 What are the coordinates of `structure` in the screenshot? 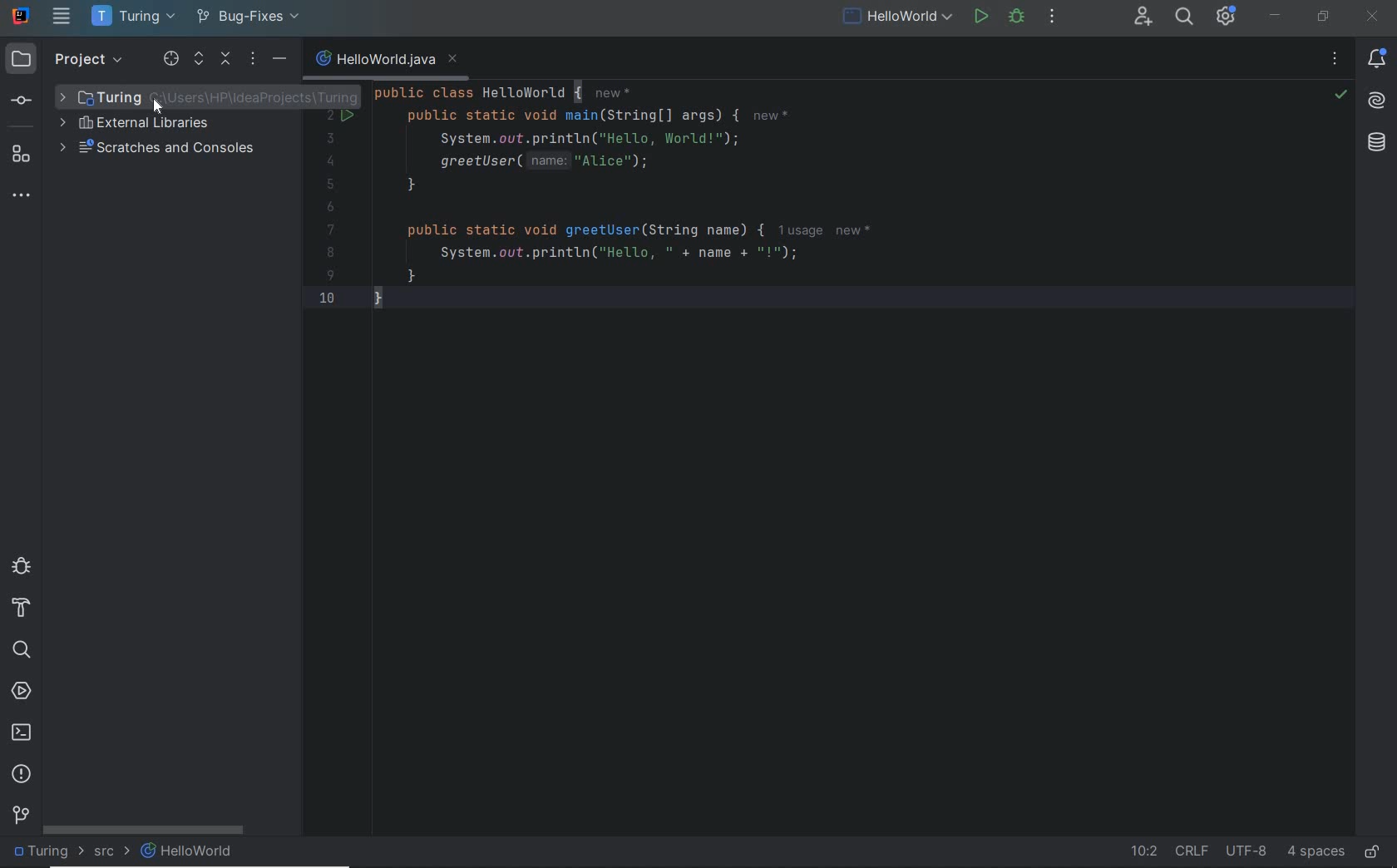 It's located at (22, 155).